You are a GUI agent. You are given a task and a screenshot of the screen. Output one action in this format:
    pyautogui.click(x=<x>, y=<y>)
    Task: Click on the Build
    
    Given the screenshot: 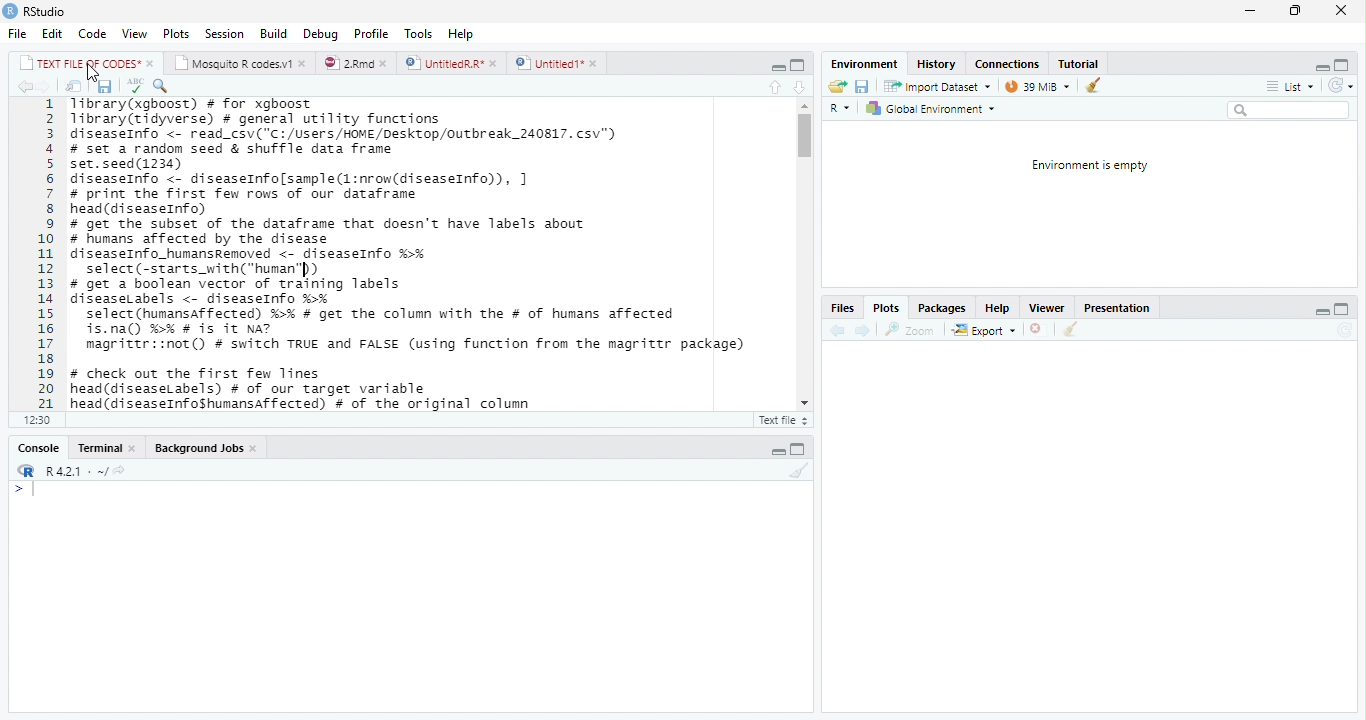 What is the action you would take?
    pyautogui.click(x=274, y=34)
    